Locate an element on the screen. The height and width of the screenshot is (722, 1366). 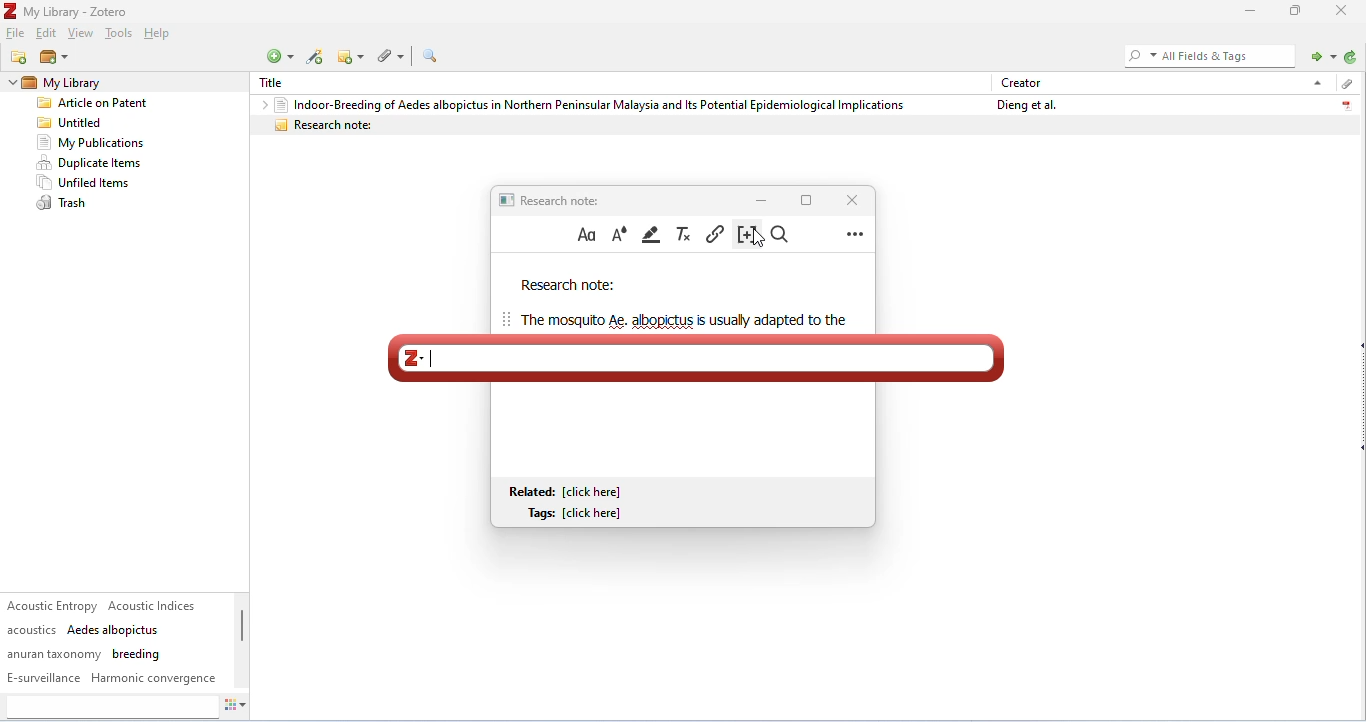
tags is located at coordinates (579, 514).